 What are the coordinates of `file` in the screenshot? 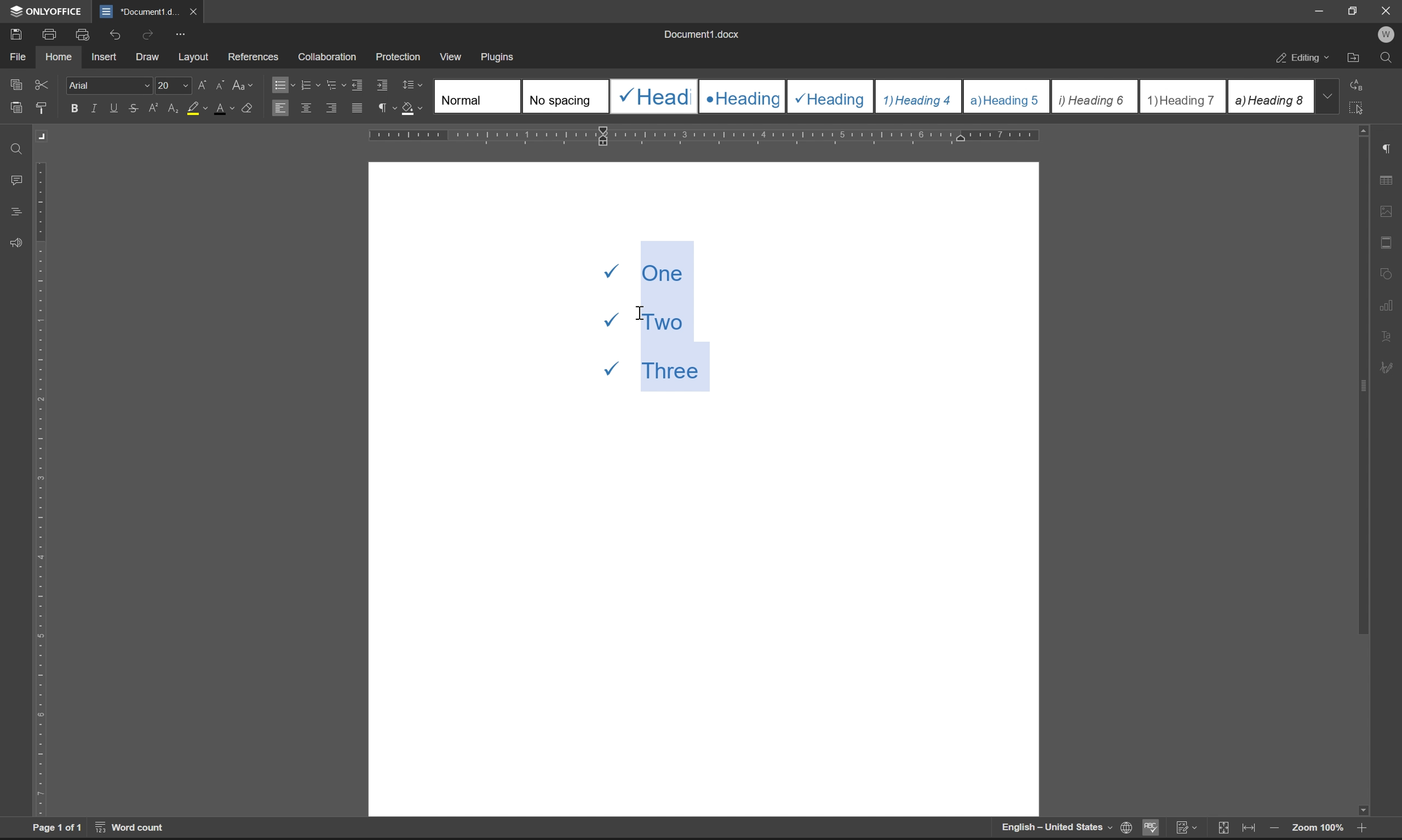 It's located at (17, 57).